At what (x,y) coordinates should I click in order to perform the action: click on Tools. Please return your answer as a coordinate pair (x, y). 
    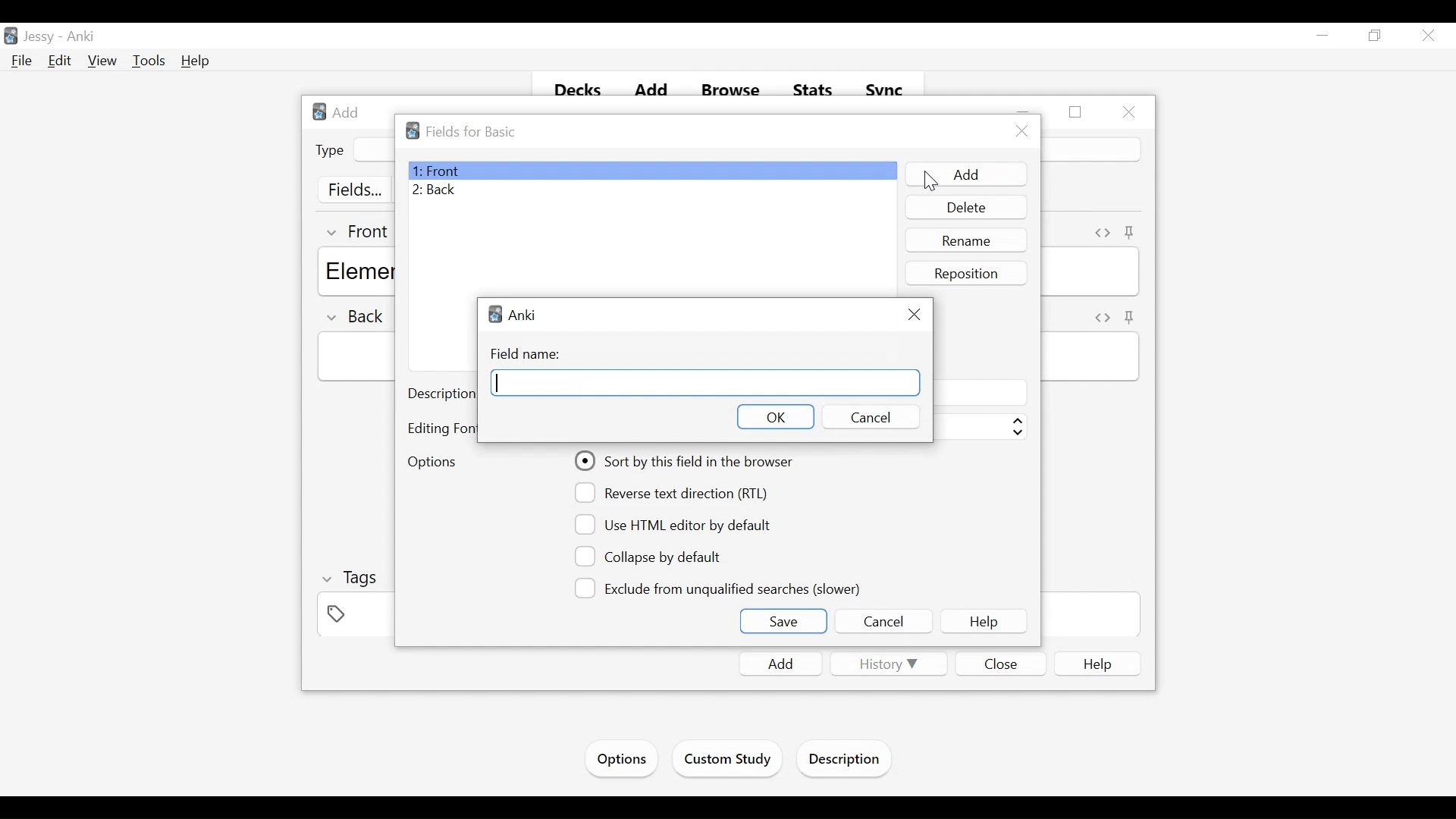
    Looking at the image, I should click on (149, 61).